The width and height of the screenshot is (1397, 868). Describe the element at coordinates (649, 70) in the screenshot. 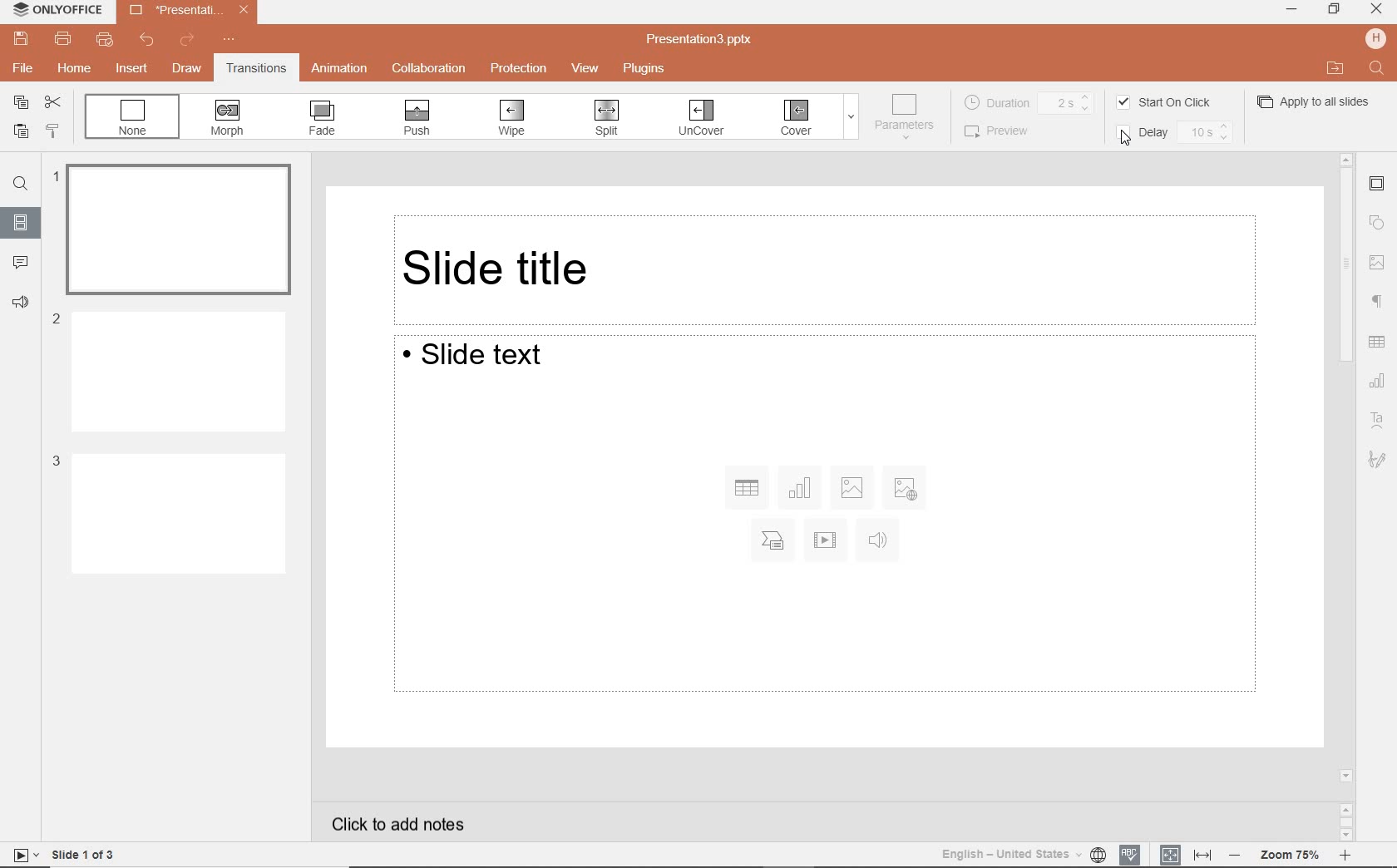

I see `plugins` at that location.